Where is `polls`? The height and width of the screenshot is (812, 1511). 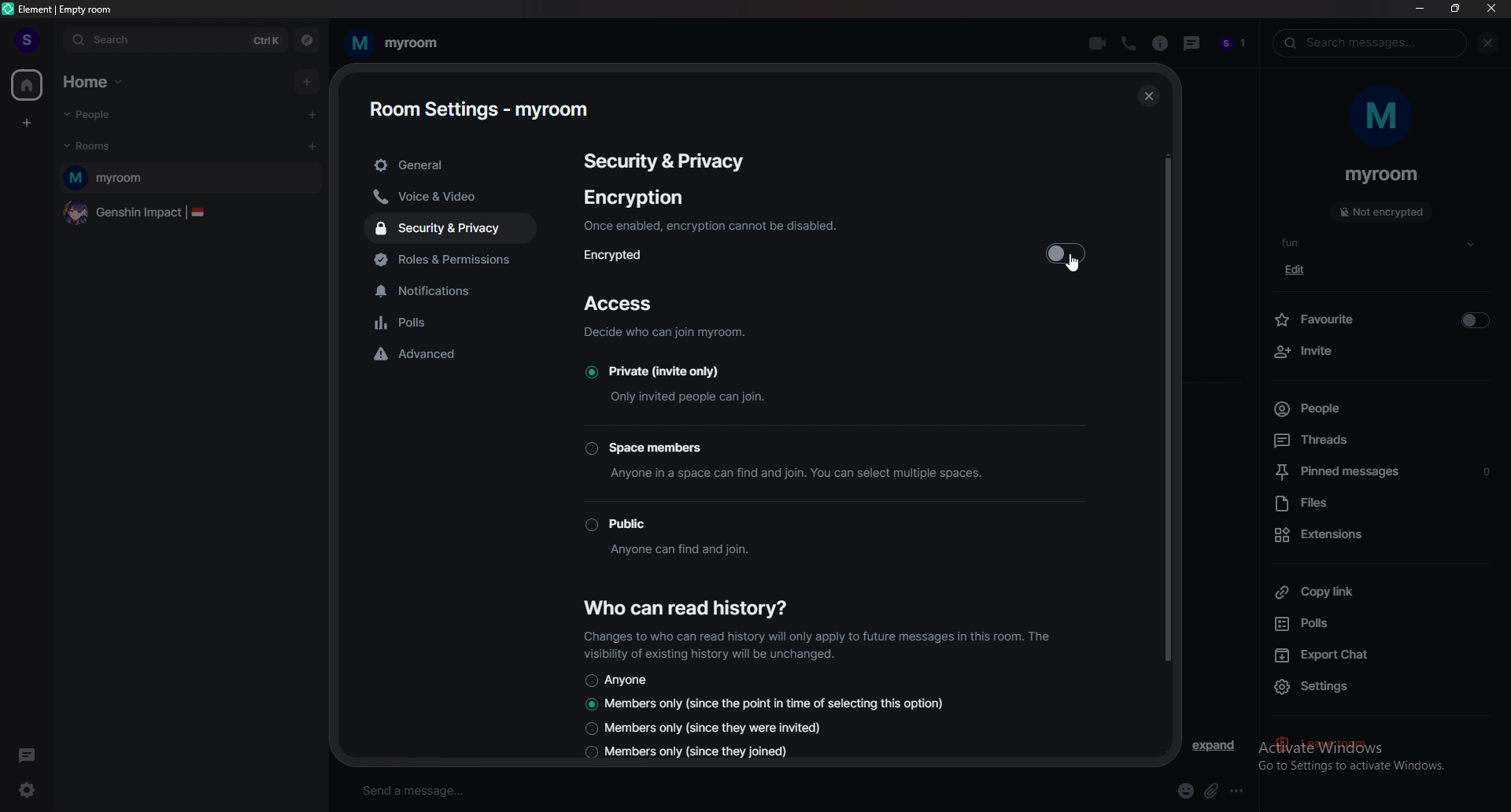
polls is located at coordinates (456, 325).